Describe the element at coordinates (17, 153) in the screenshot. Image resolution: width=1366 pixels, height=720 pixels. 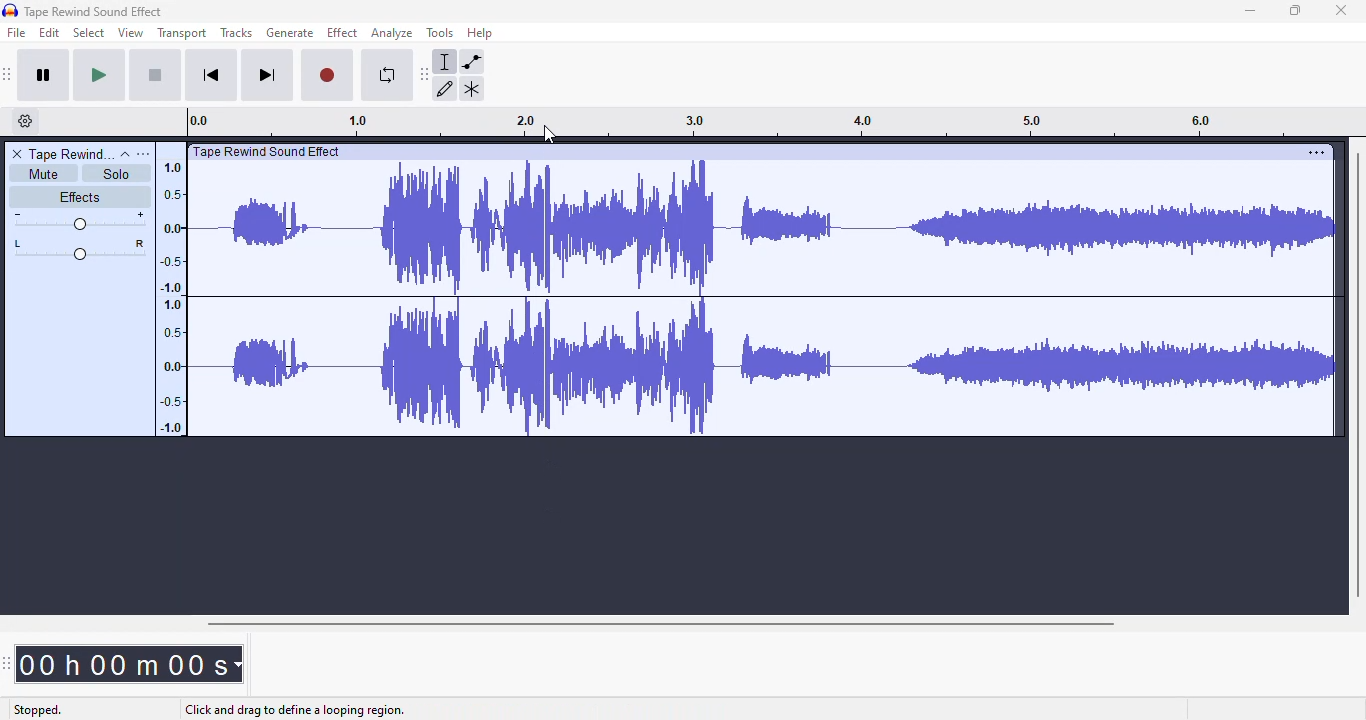
I see `delete track` at that location.